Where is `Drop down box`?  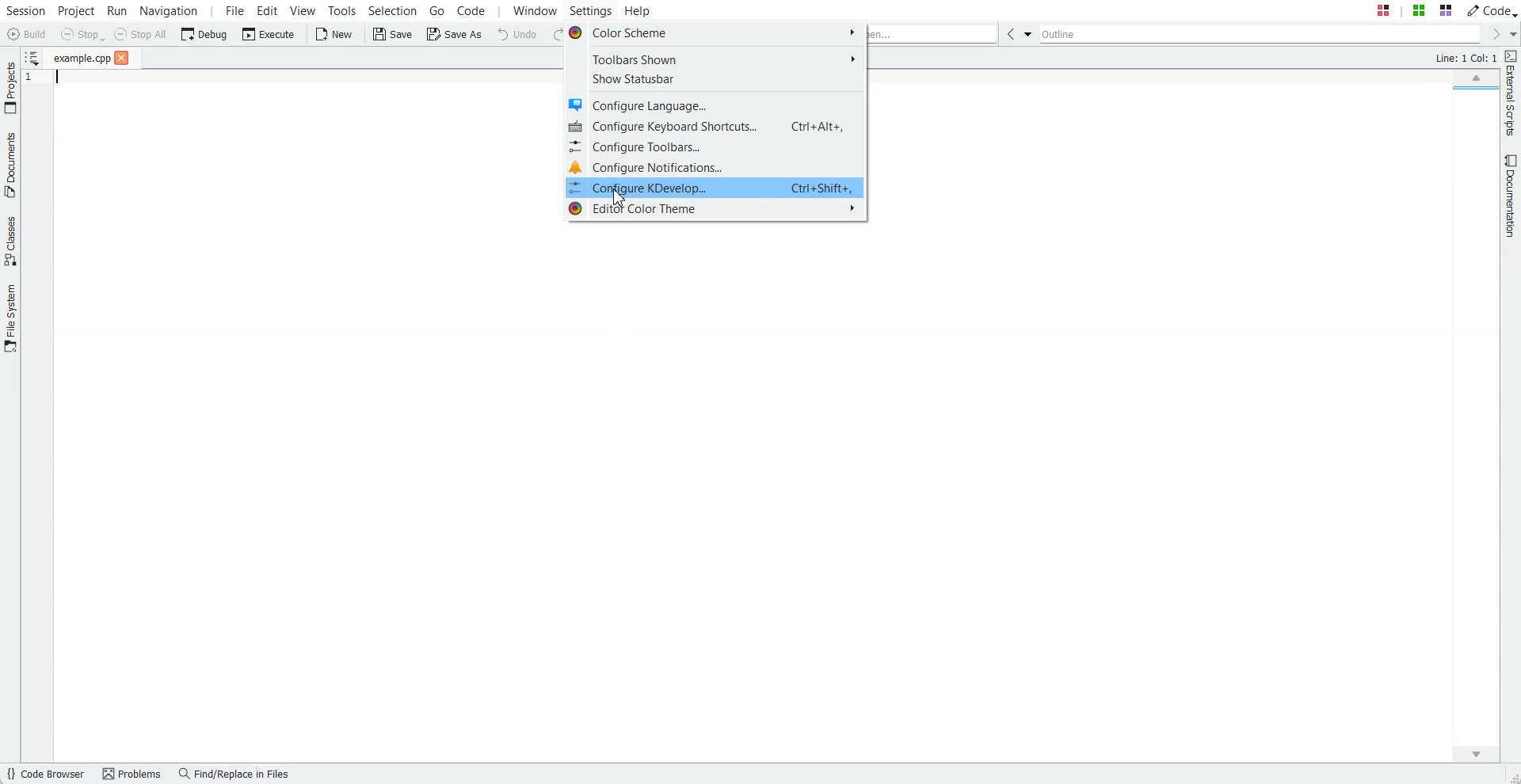 Drop down box is located at coordinates (1027, 33).